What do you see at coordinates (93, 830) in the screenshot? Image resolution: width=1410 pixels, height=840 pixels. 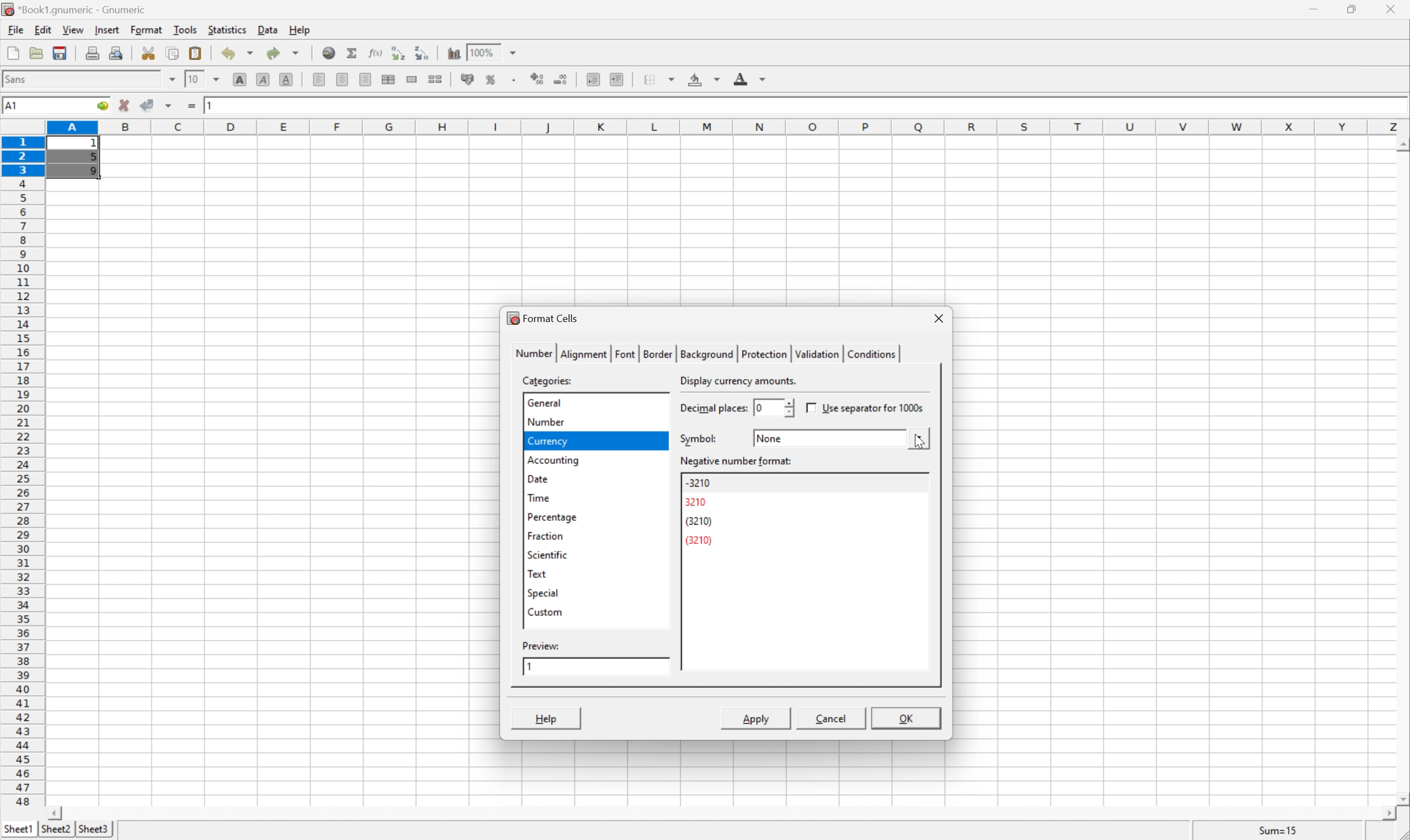 I see `sheet3` at bounding box center [93, 830].